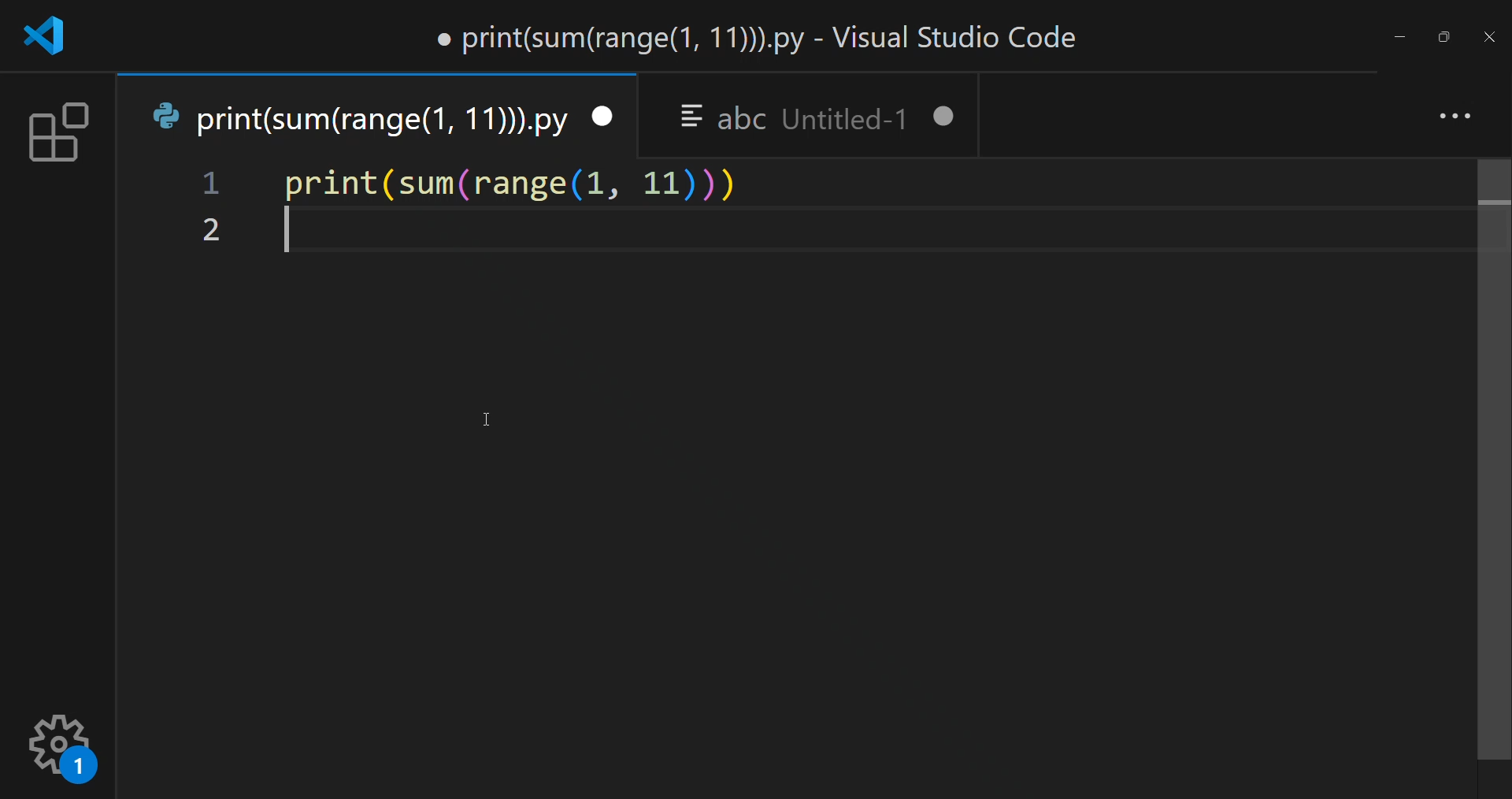 The image size is (1512, 799). I want to click on abc Untitled-1, so click(794, 116).